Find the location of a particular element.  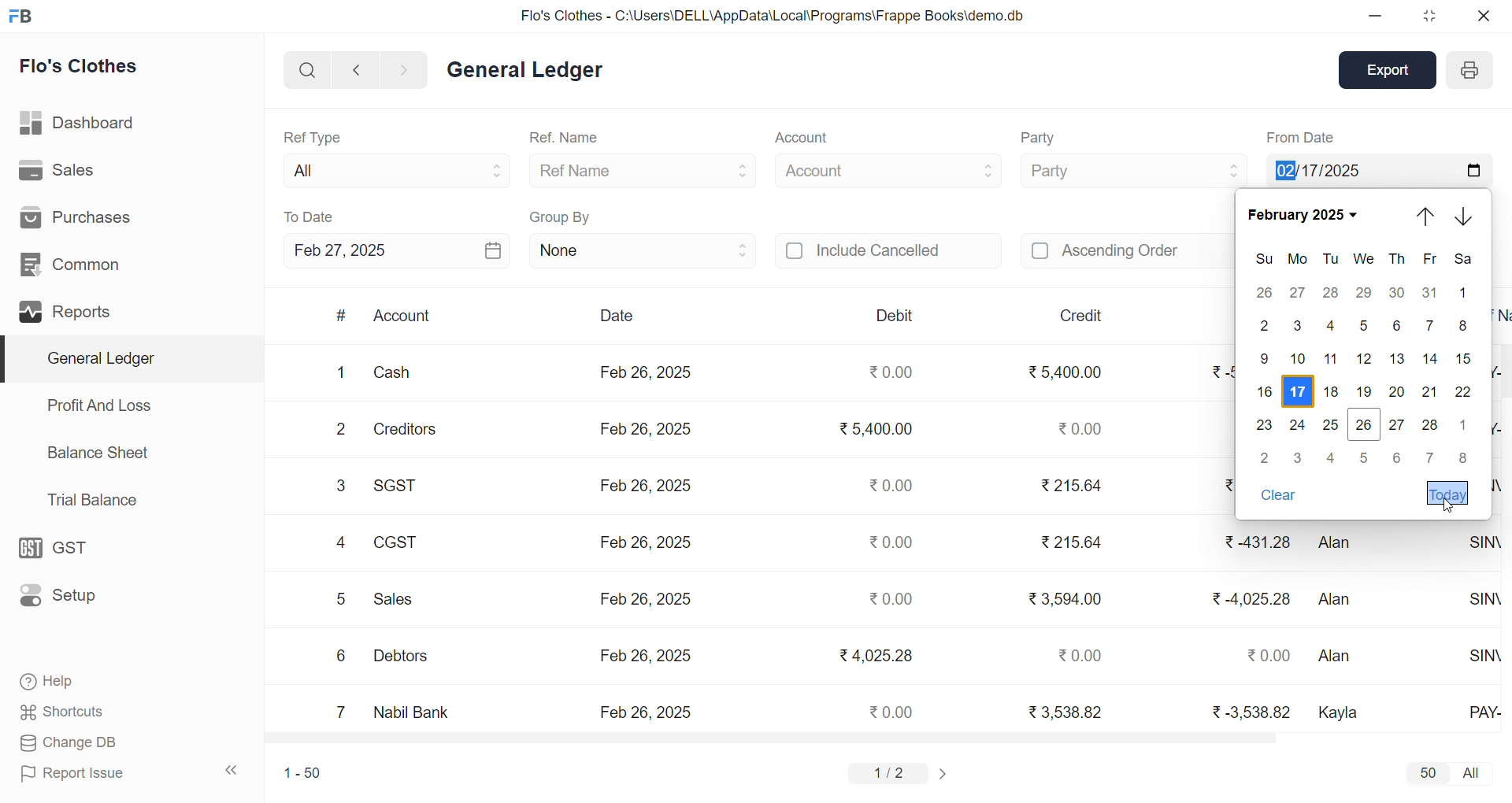

MINIMIZE is located at coordinates (1376, 17).